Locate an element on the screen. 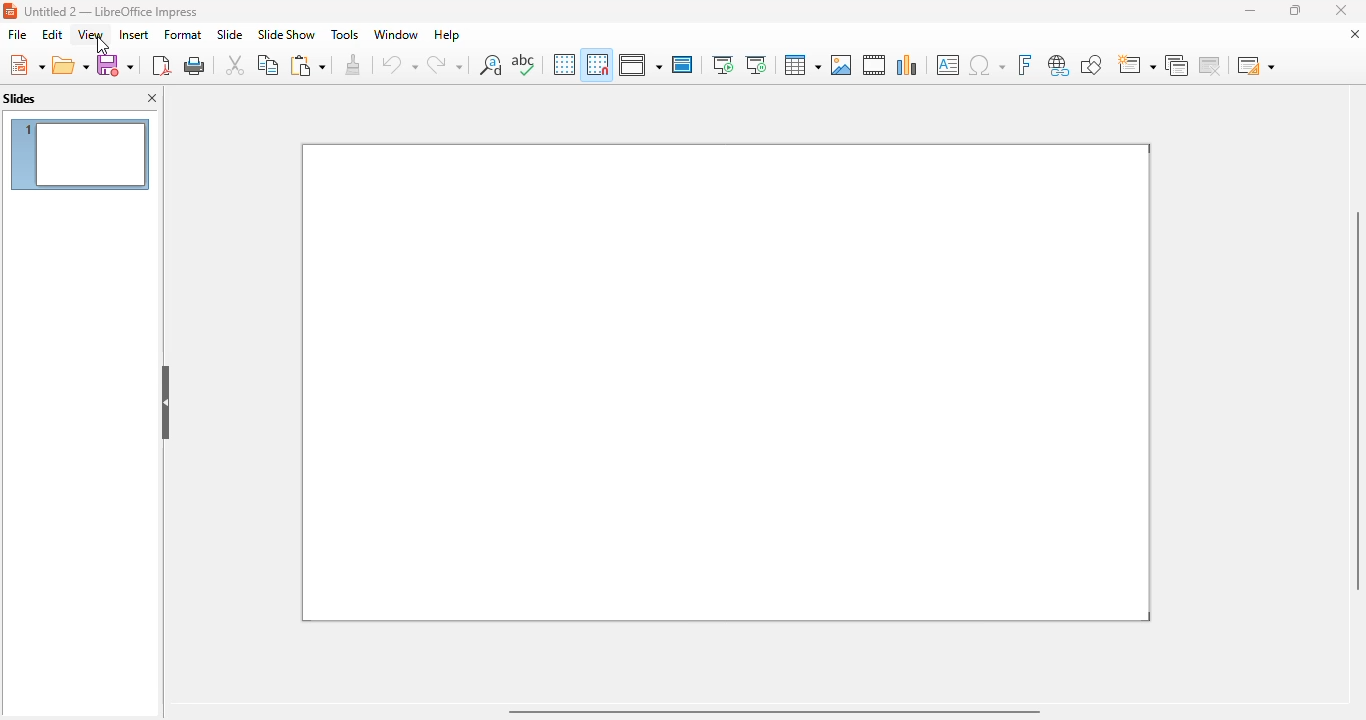 Image resolution: width=1366 pixels, height=720 pixels. start from first slide is located at coordinates (723, 64).